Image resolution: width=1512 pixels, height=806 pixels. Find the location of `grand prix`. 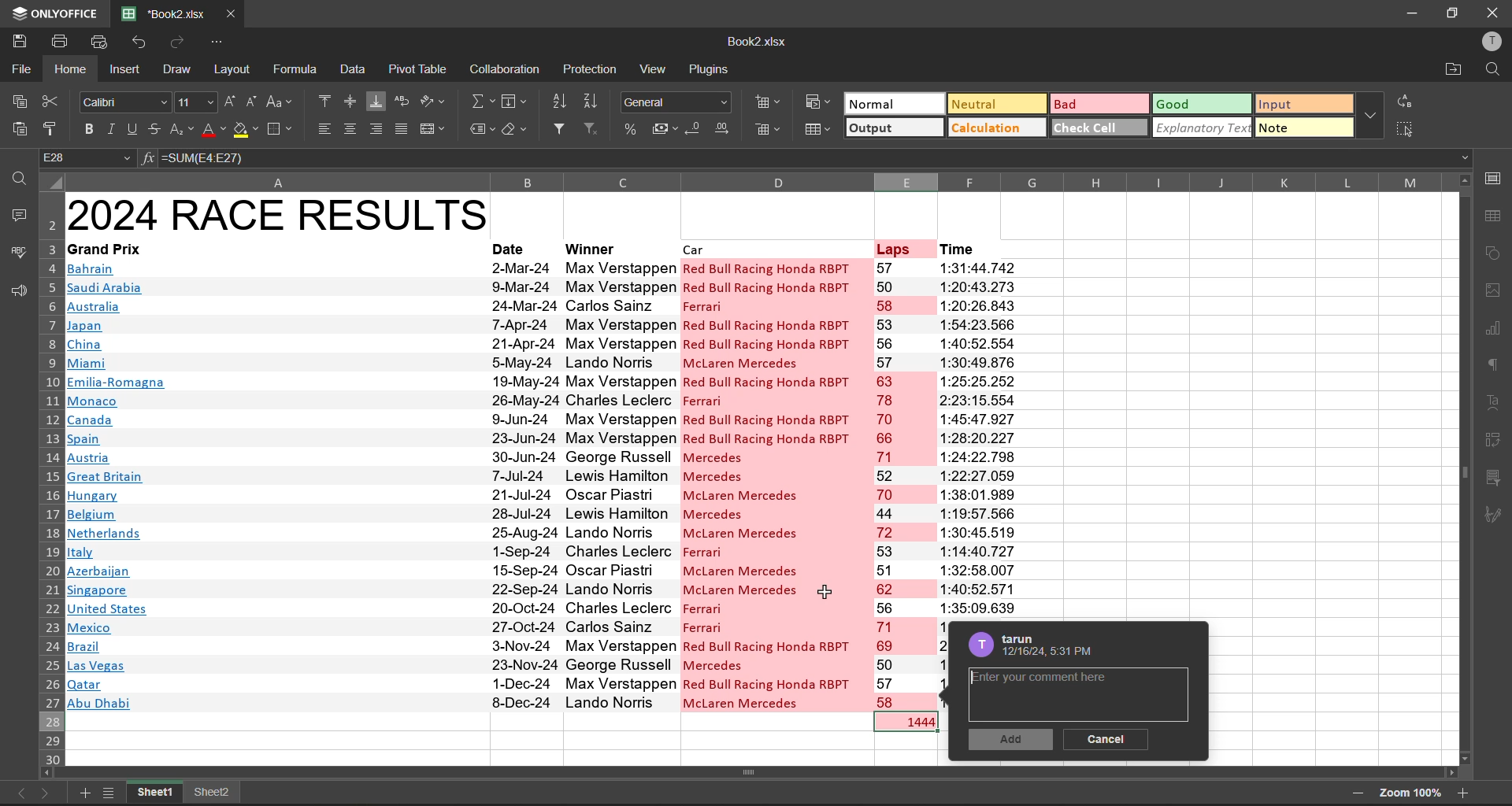

grand prix is located at coordinates (106, 248).